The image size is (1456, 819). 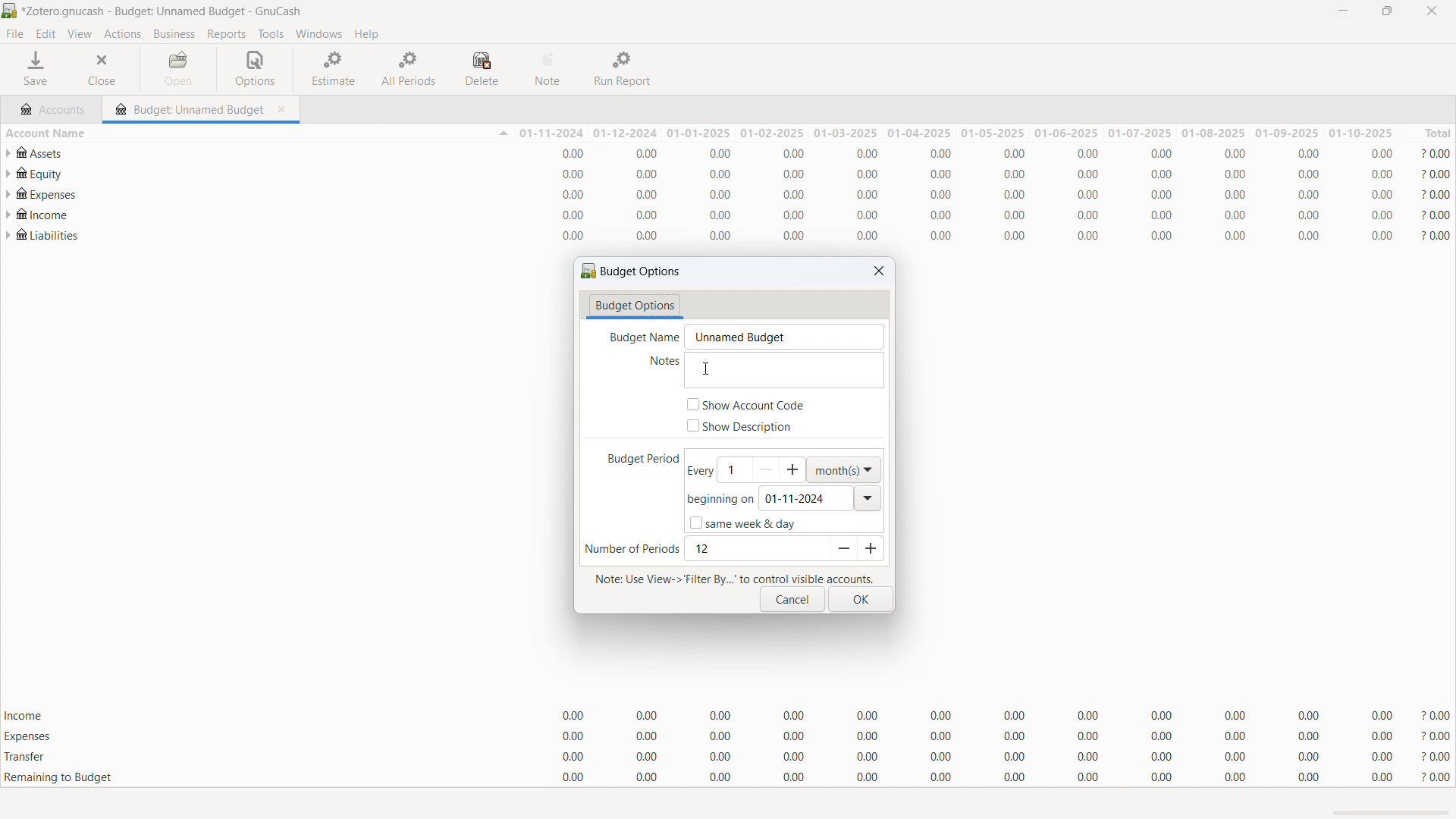 What do you see at coordinates (1066, 133) in the screenshot?
I see `01-06-2025` at bounding box center [1066, 133].